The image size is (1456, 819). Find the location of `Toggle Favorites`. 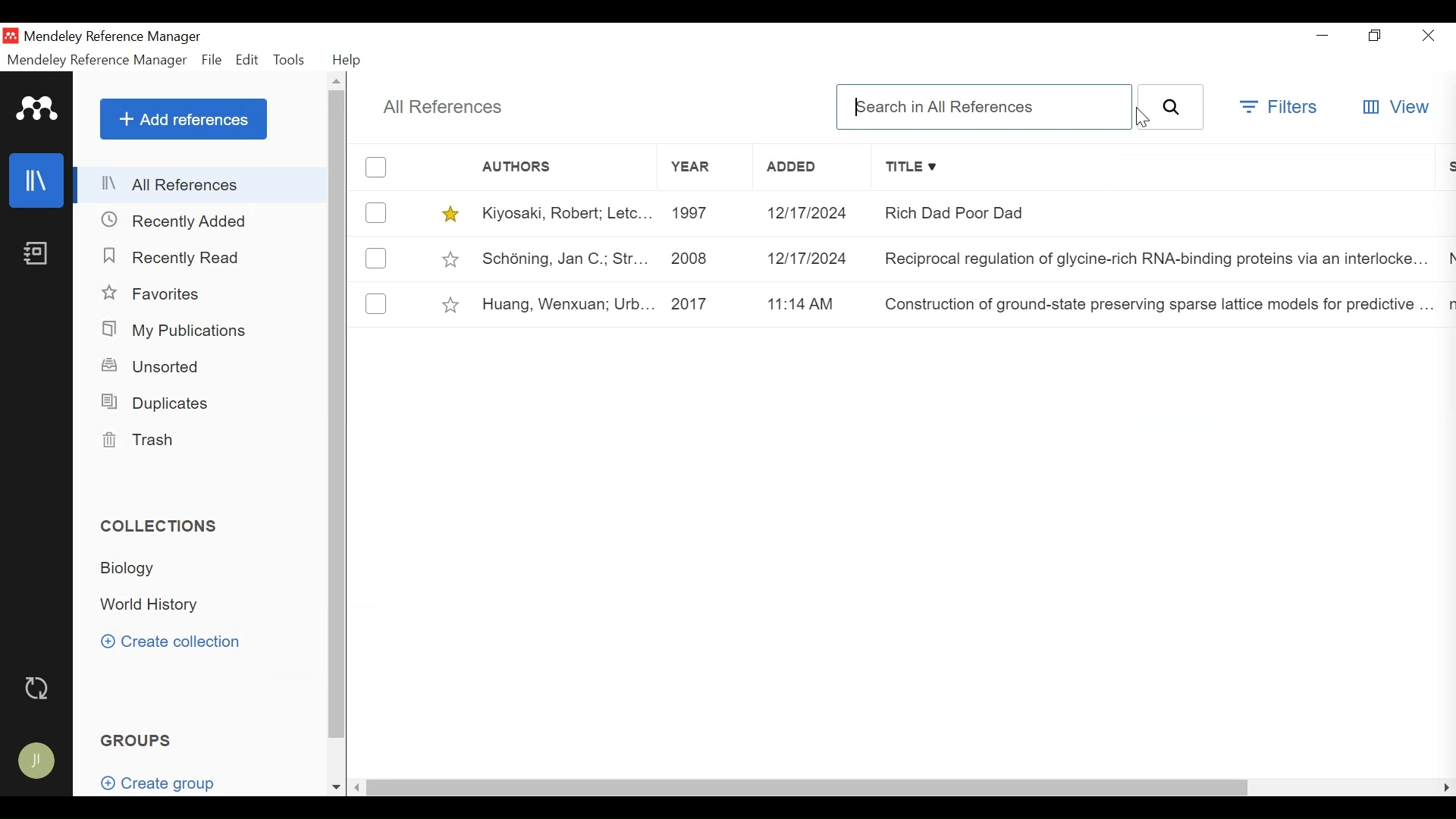

Toggle Favorites is located at coordinates (450, 213).